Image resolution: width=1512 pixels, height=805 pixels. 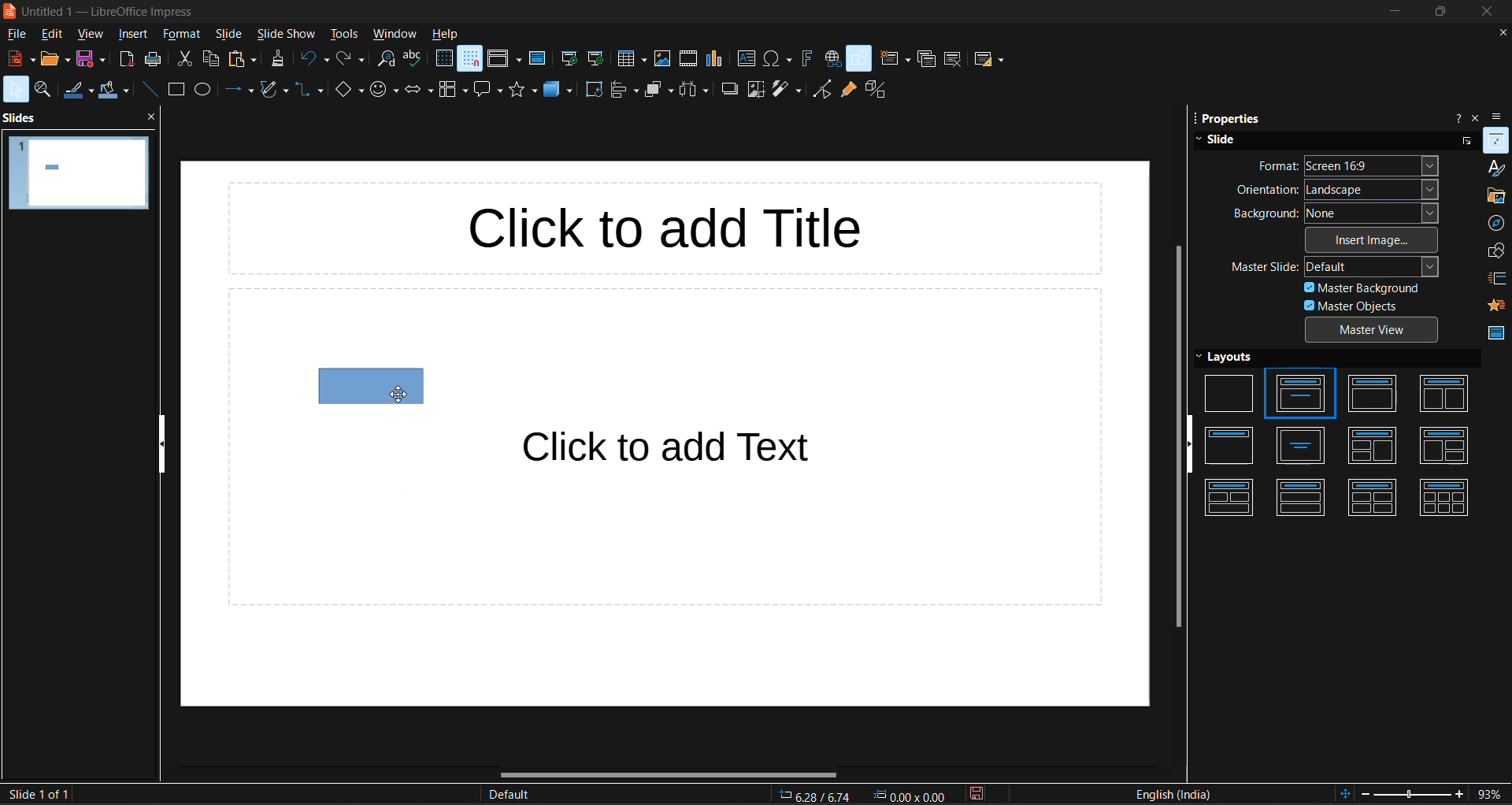 I want to click on undo, so click(x=312, y=60).